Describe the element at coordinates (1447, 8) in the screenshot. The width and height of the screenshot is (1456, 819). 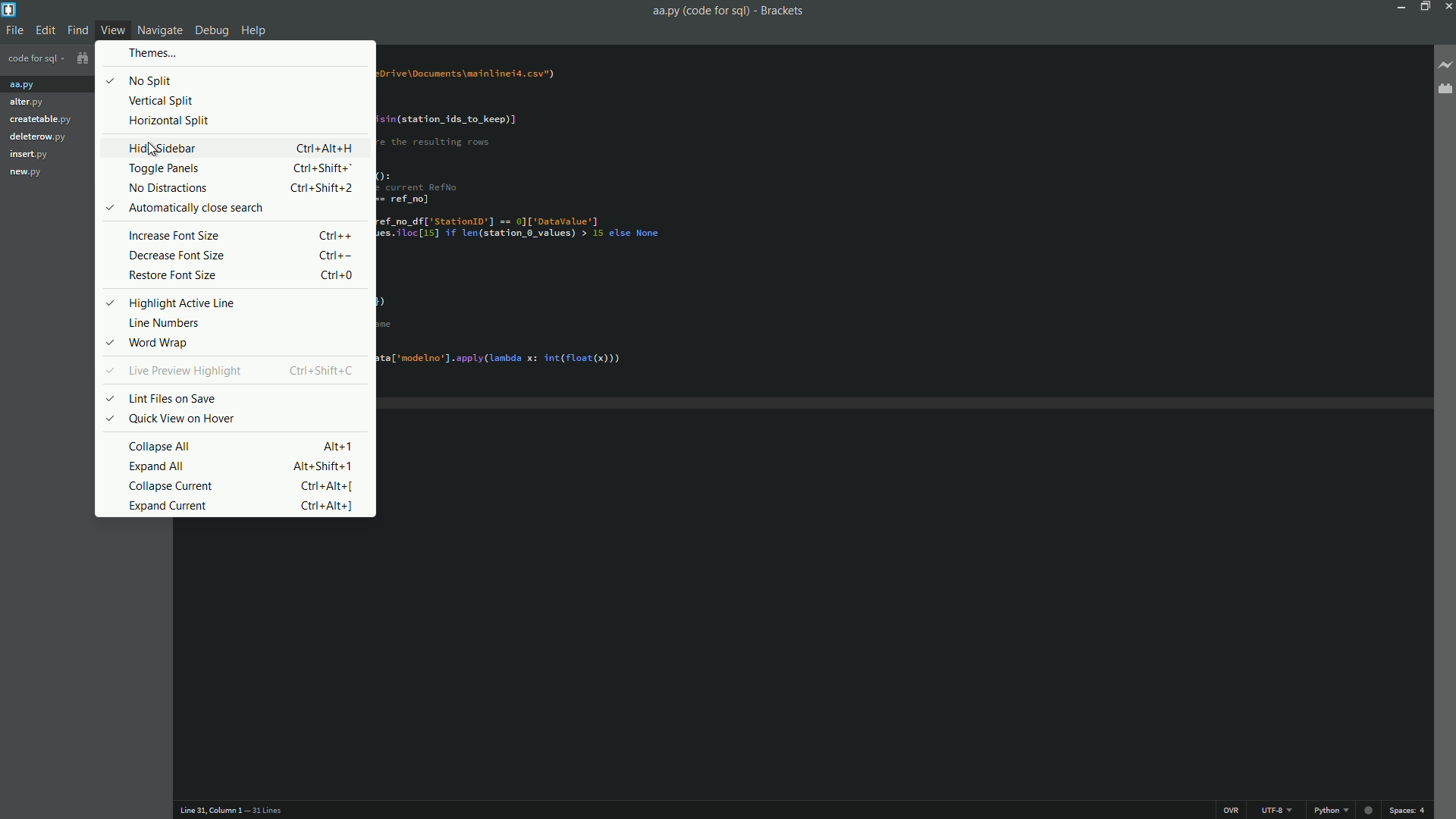
I see `close app button` at that location.